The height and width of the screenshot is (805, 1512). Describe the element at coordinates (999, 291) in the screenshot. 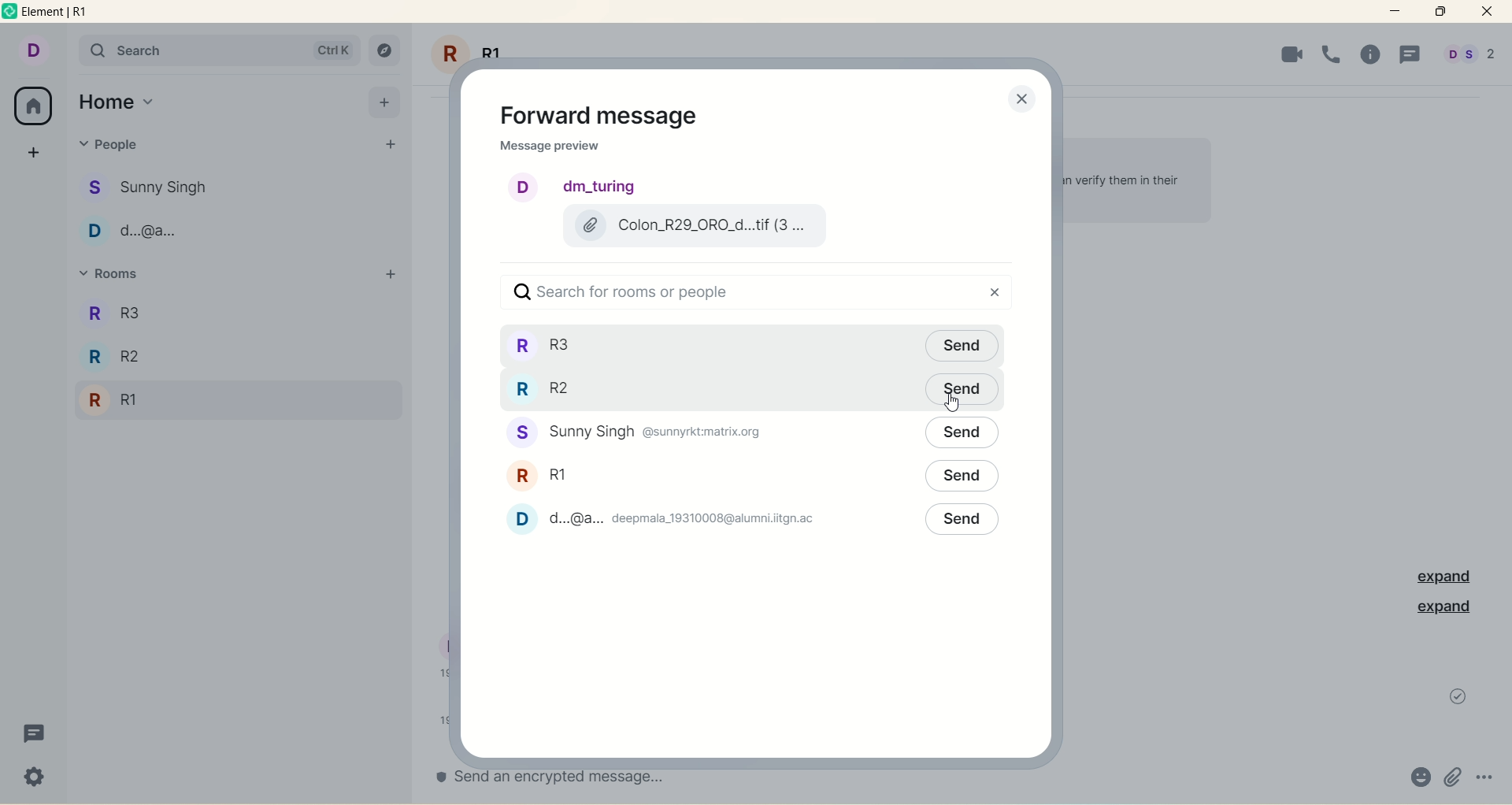

I see `close` at that location.